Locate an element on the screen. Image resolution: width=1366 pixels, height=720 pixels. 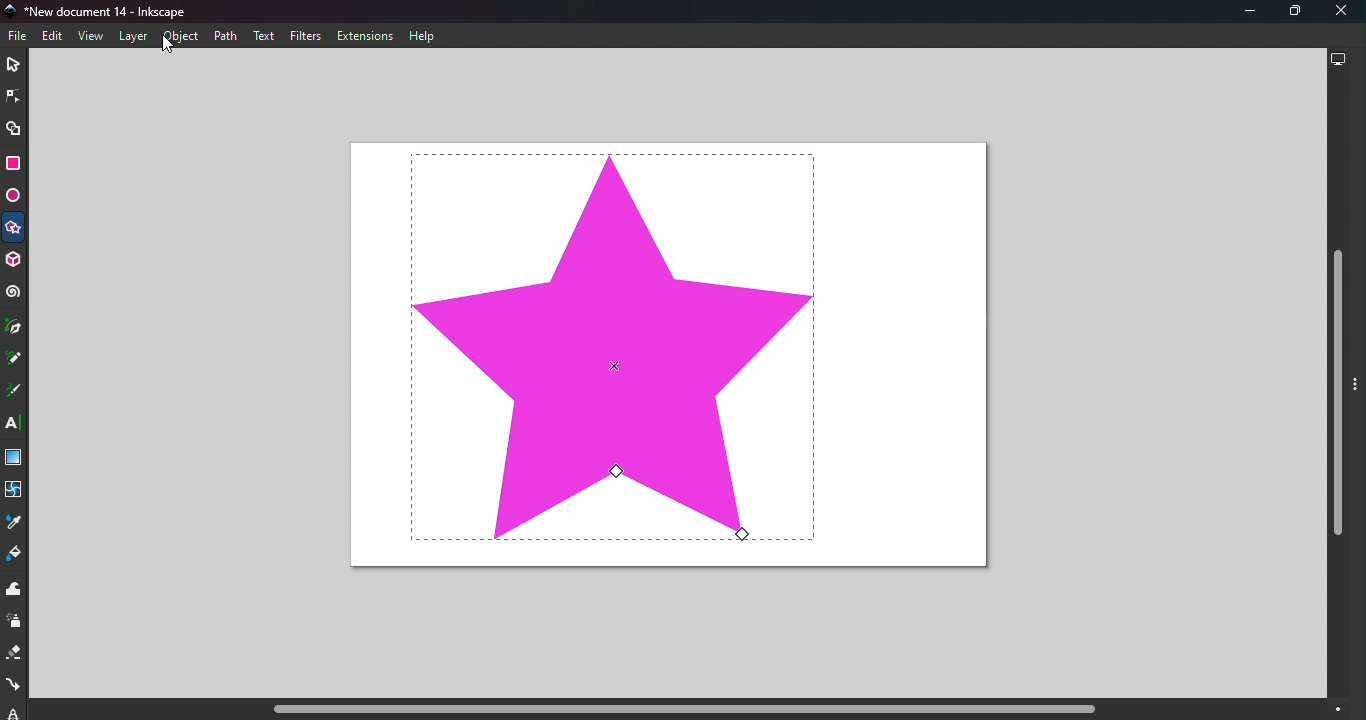
View is located at coordinates (90, 35).